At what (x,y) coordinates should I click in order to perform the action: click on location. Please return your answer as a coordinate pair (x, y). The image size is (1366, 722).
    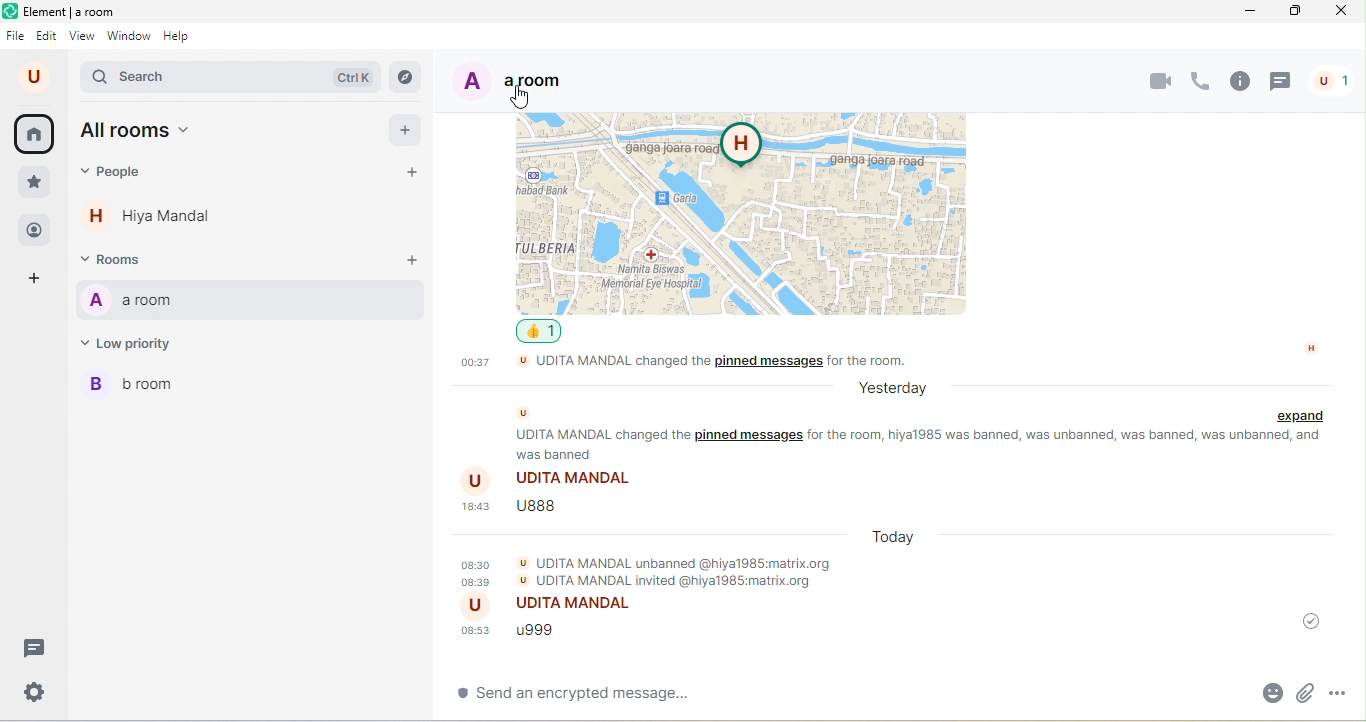
    Looking at the image, I should click on (733, 211).